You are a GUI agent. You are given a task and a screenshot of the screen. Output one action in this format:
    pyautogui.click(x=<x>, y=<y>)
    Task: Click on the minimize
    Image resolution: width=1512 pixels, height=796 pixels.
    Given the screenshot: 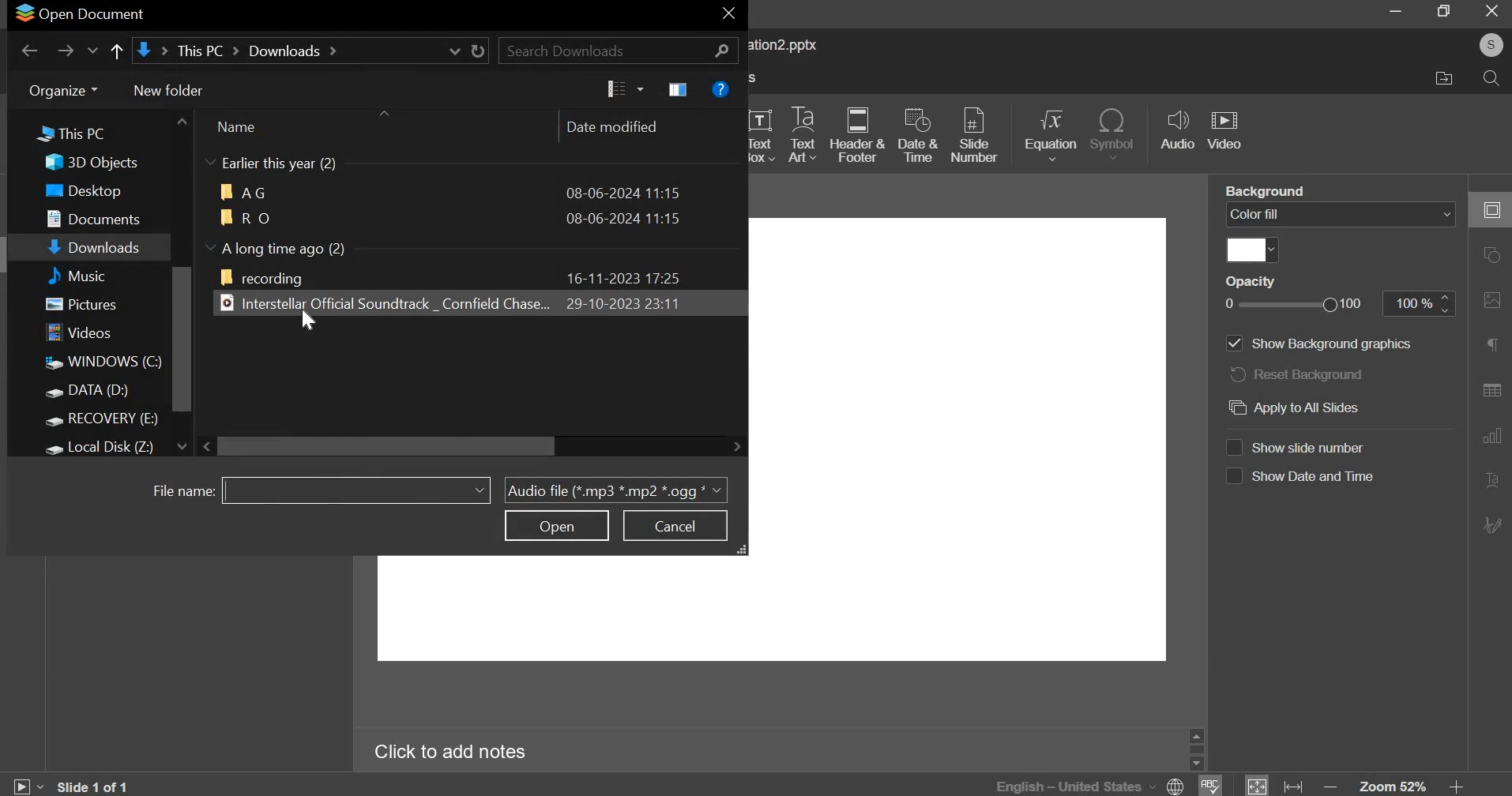 What is the action you would take?
    pyautogui.click(x=1393, y=14)
    